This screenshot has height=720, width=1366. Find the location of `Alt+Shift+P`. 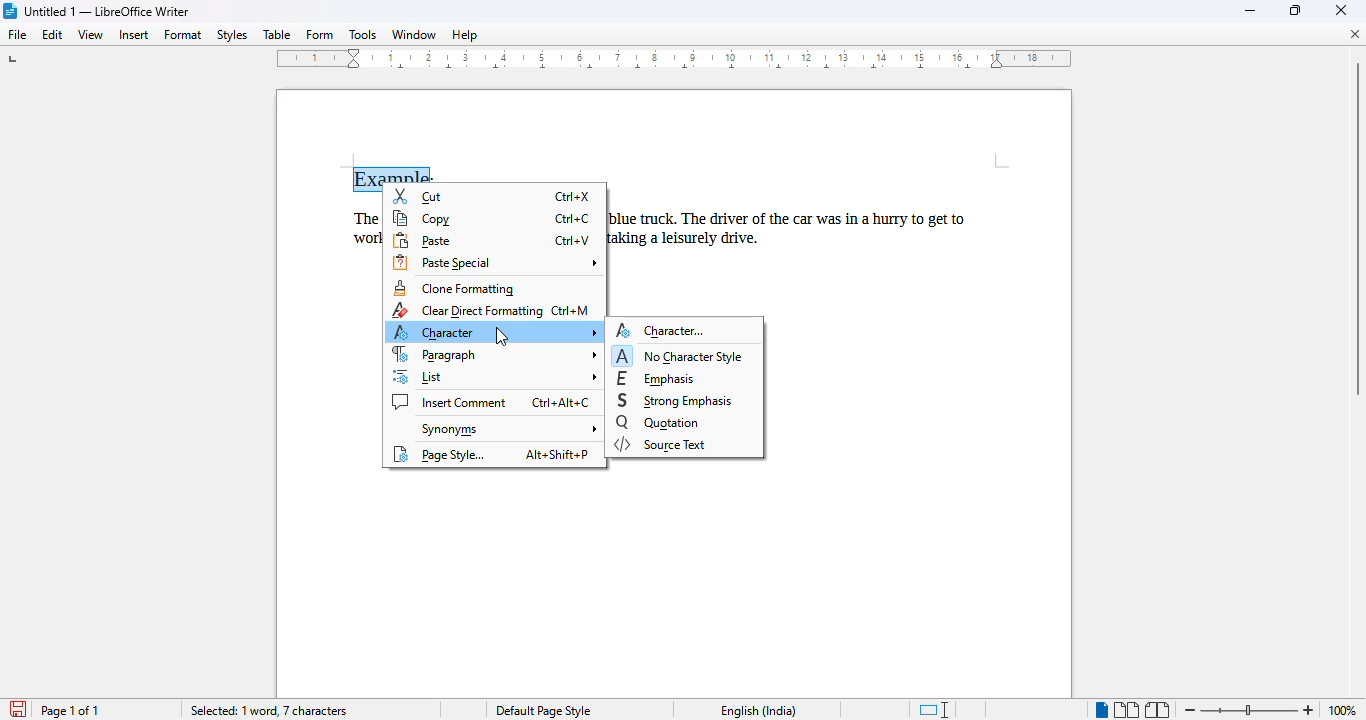

Alt+Shift+P is located at coordinates (557, 455).